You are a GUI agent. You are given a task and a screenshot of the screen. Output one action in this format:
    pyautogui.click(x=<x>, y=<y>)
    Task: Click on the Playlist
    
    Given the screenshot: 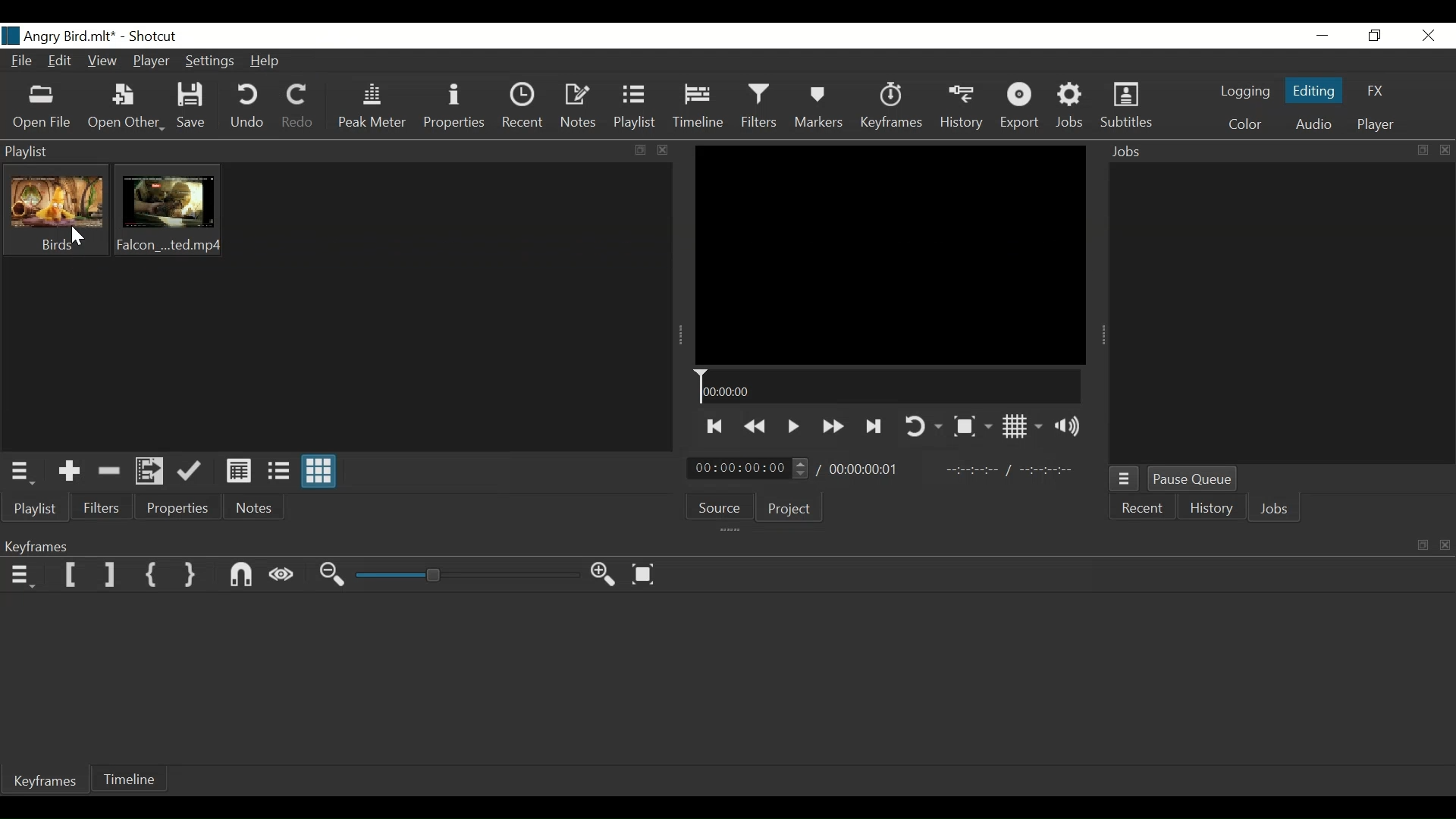 What is the action you would take?
    pyautogui.click(x=39, y=509)
    